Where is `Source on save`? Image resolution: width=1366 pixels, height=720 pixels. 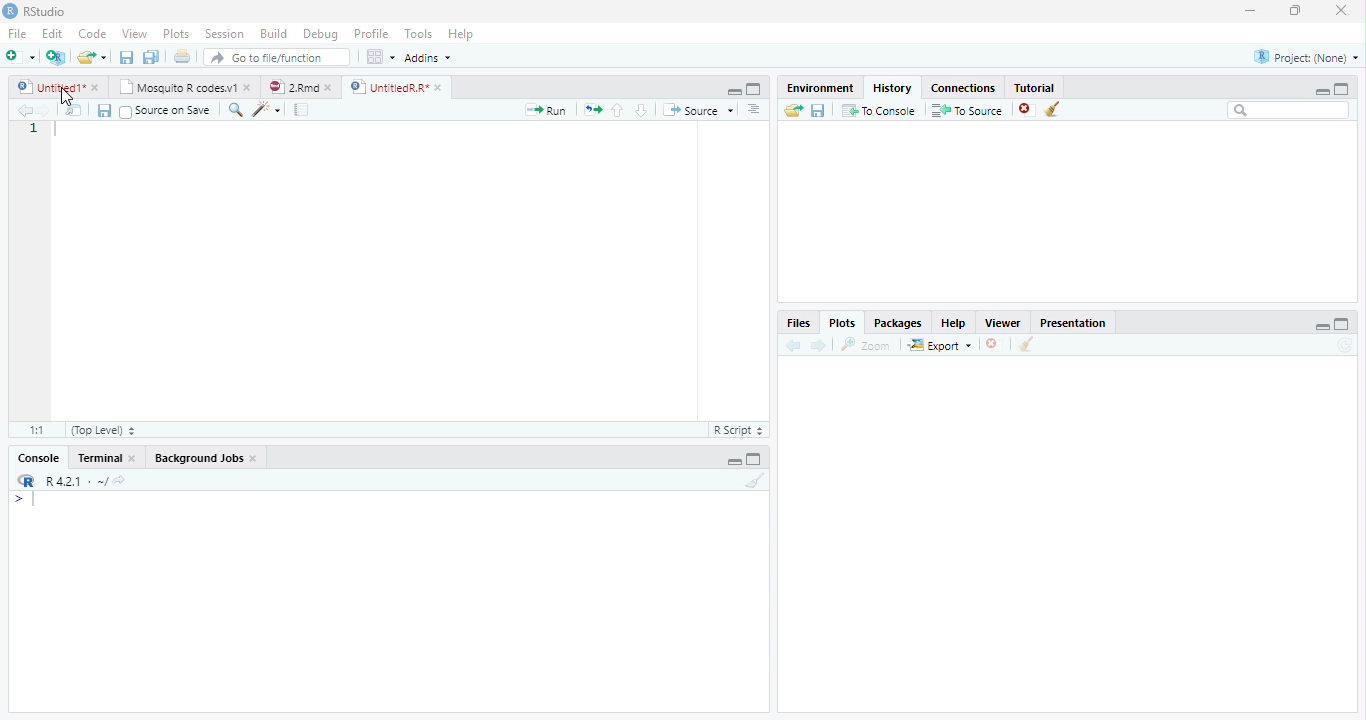 Source on save is located at coordinates (167, 112).